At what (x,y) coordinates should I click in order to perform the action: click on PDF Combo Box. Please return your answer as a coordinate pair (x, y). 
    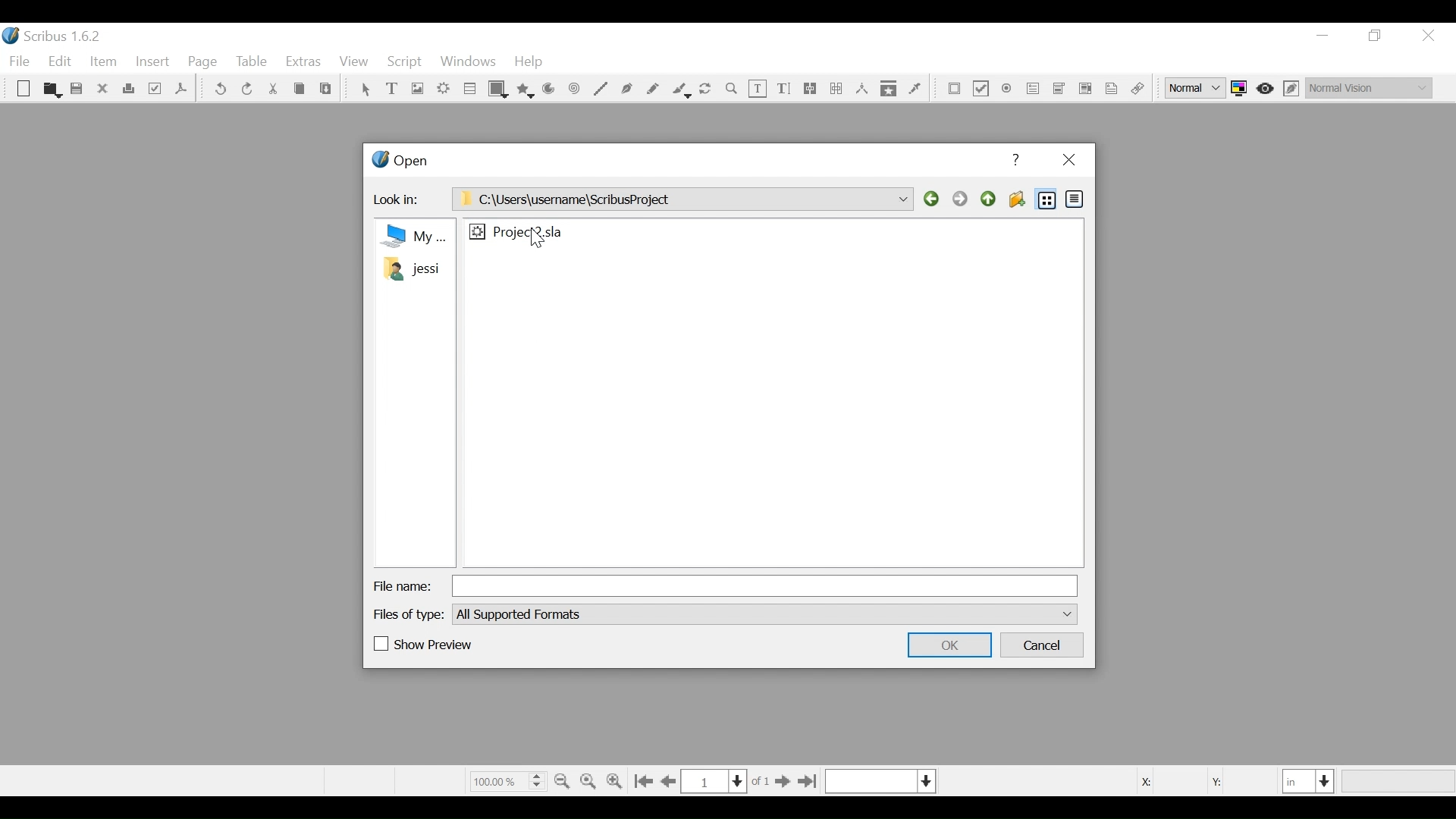
    Looking at the image, I should click on (1034, 90).